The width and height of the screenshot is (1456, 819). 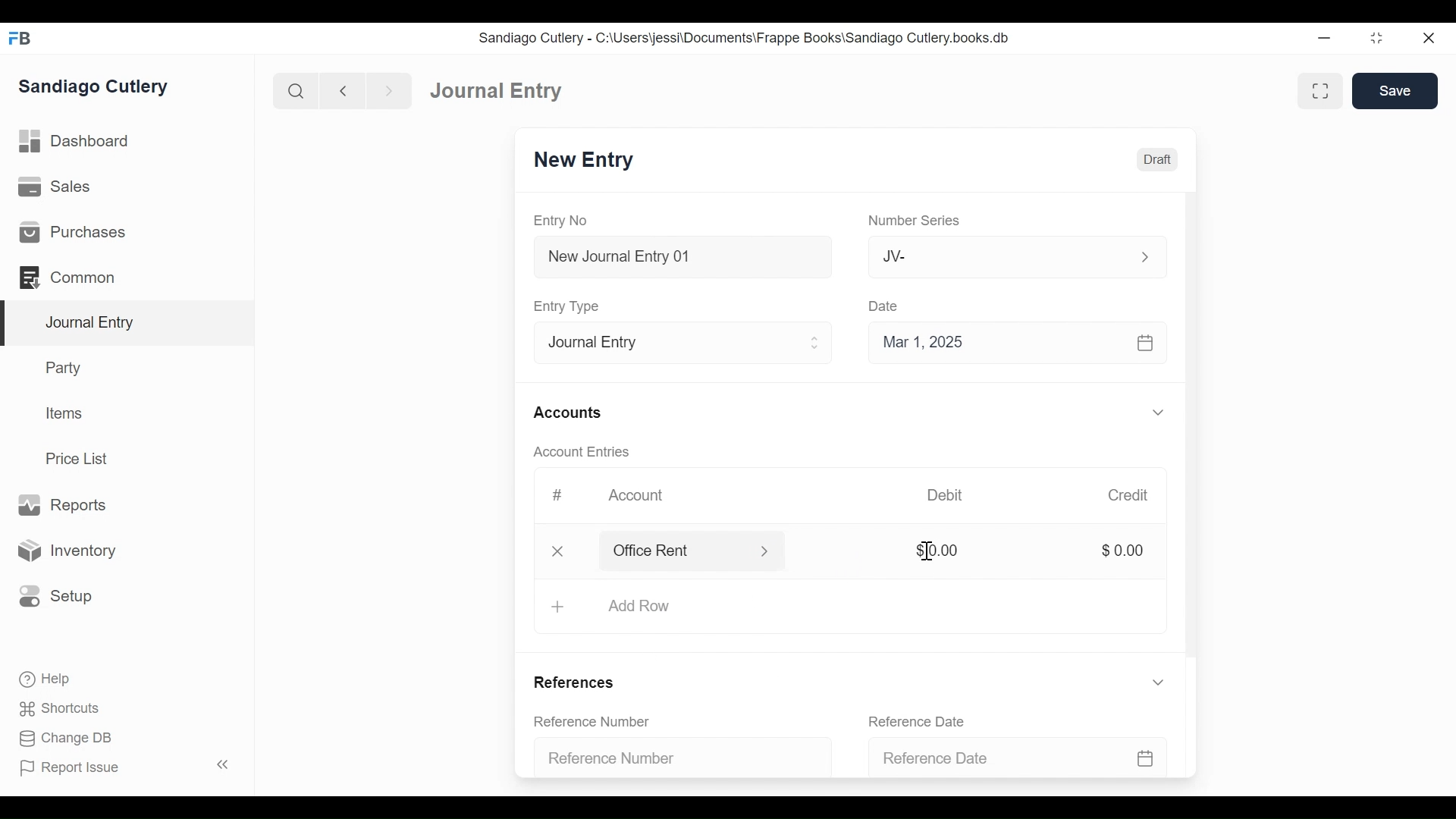 I want to click on FrappeBooks logo, so click(x=19, y=38).